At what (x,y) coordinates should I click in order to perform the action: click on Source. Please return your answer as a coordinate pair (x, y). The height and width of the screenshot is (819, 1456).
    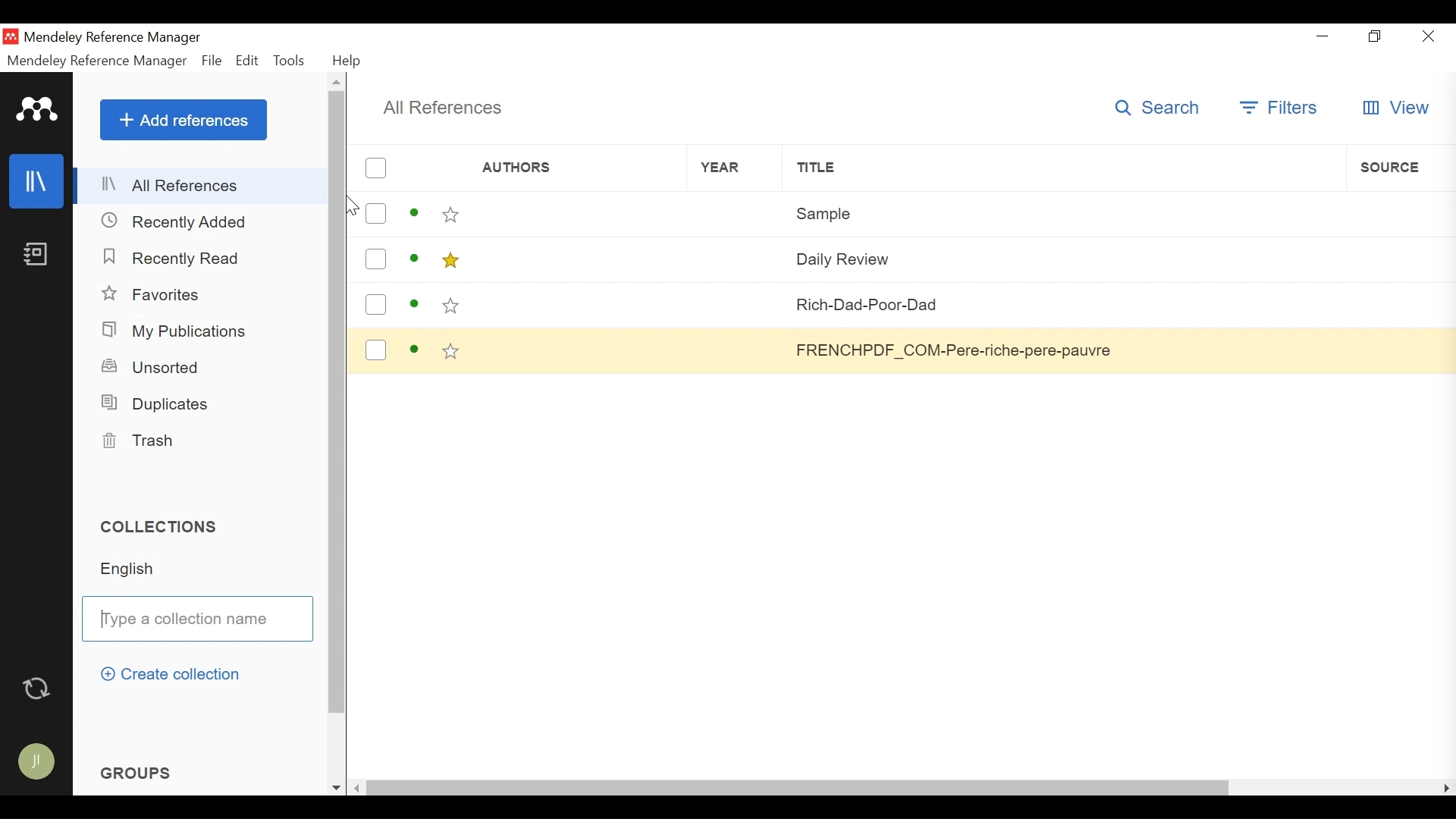
    Looking at the image, I should click on (1400, 167).